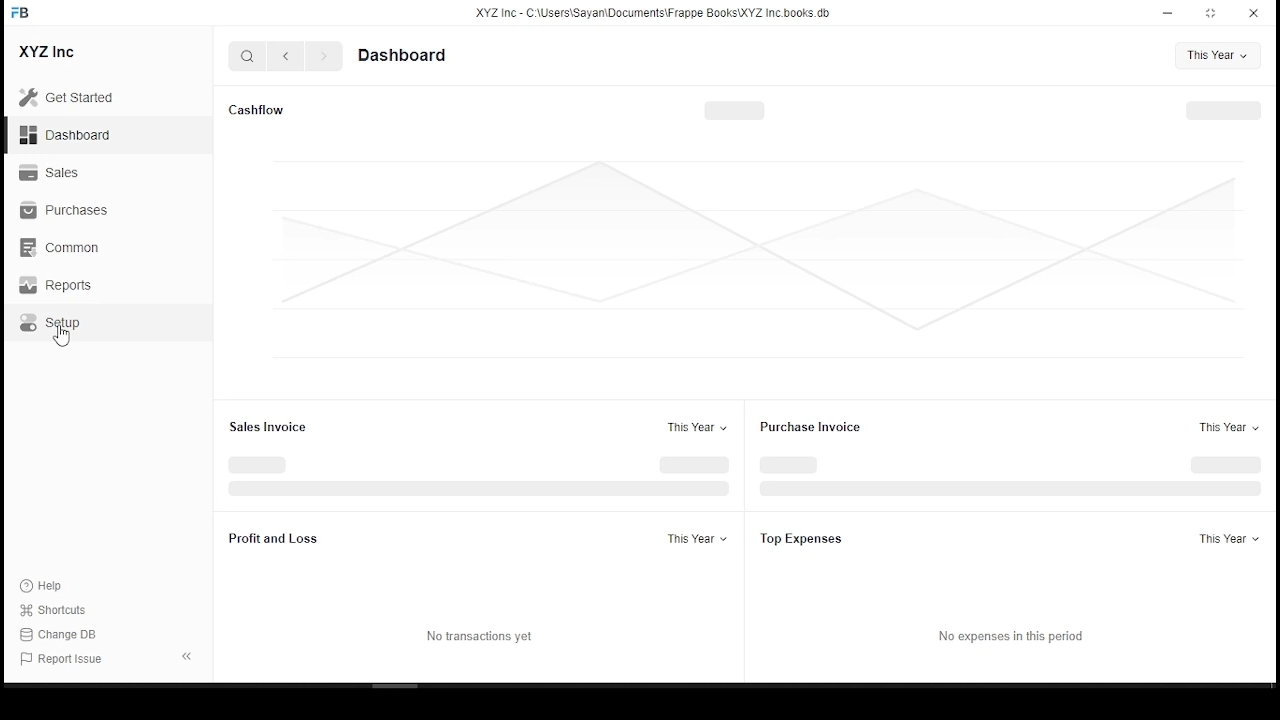 Image resolution: width=1280 pixels, height=720 pixels. I want to click on This Year, so click(698, 426).